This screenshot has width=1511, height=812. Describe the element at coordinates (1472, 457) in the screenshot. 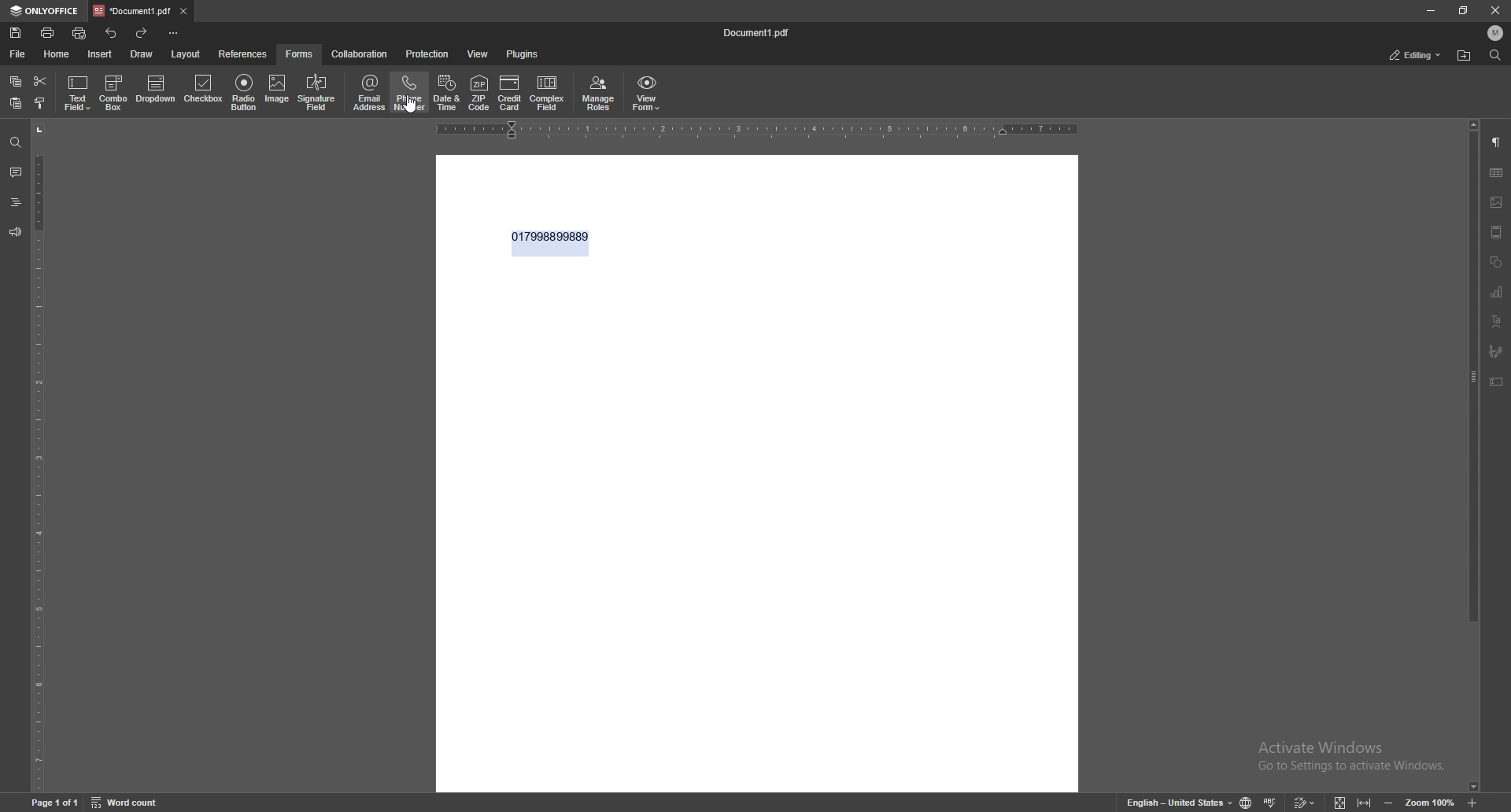

I see `scroll bar` at that location.